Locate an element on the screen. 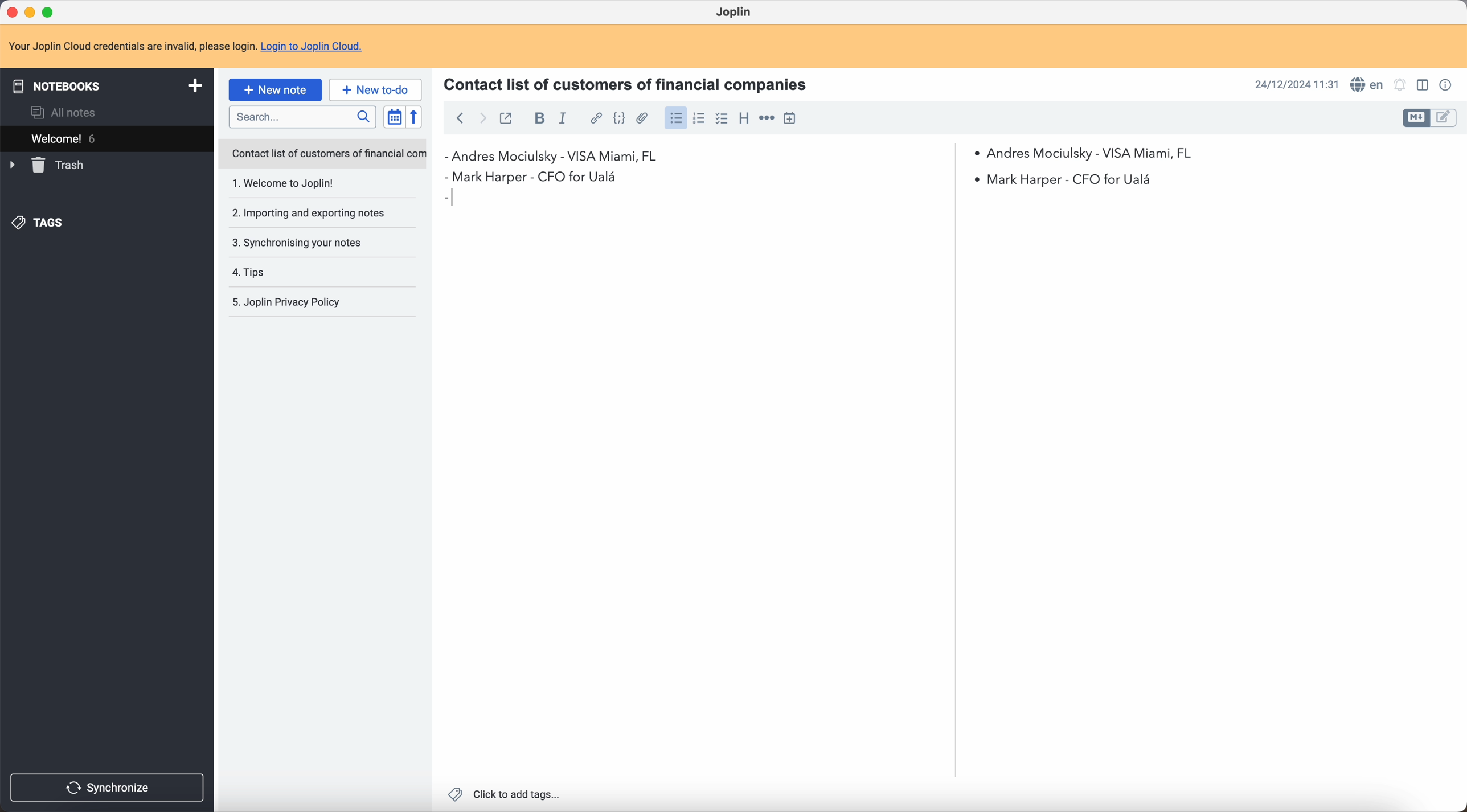  close Joplin is located at coordinates (11, 11).